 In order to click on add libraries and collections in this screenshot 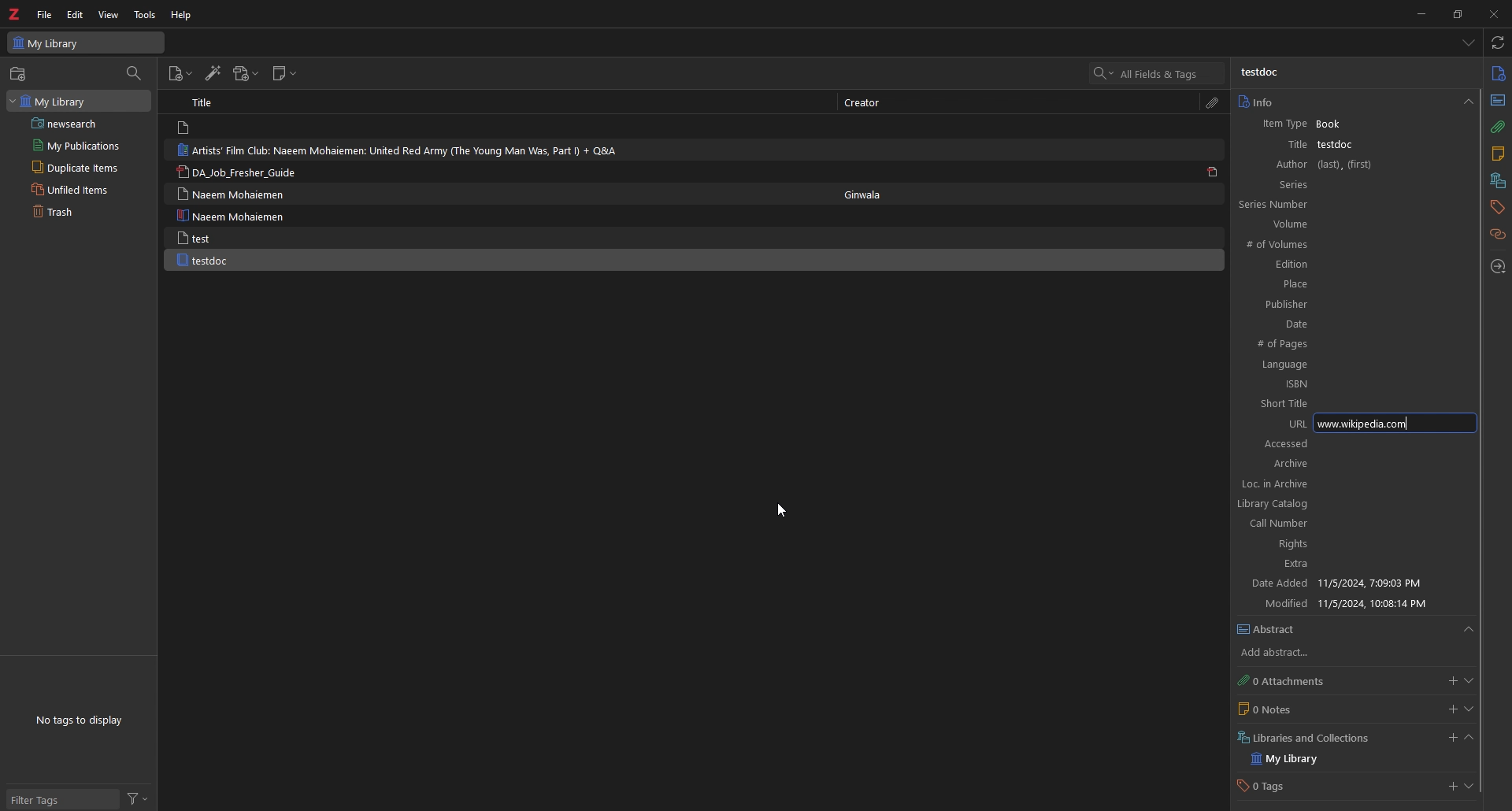, I will do `click(1450, 739)`.